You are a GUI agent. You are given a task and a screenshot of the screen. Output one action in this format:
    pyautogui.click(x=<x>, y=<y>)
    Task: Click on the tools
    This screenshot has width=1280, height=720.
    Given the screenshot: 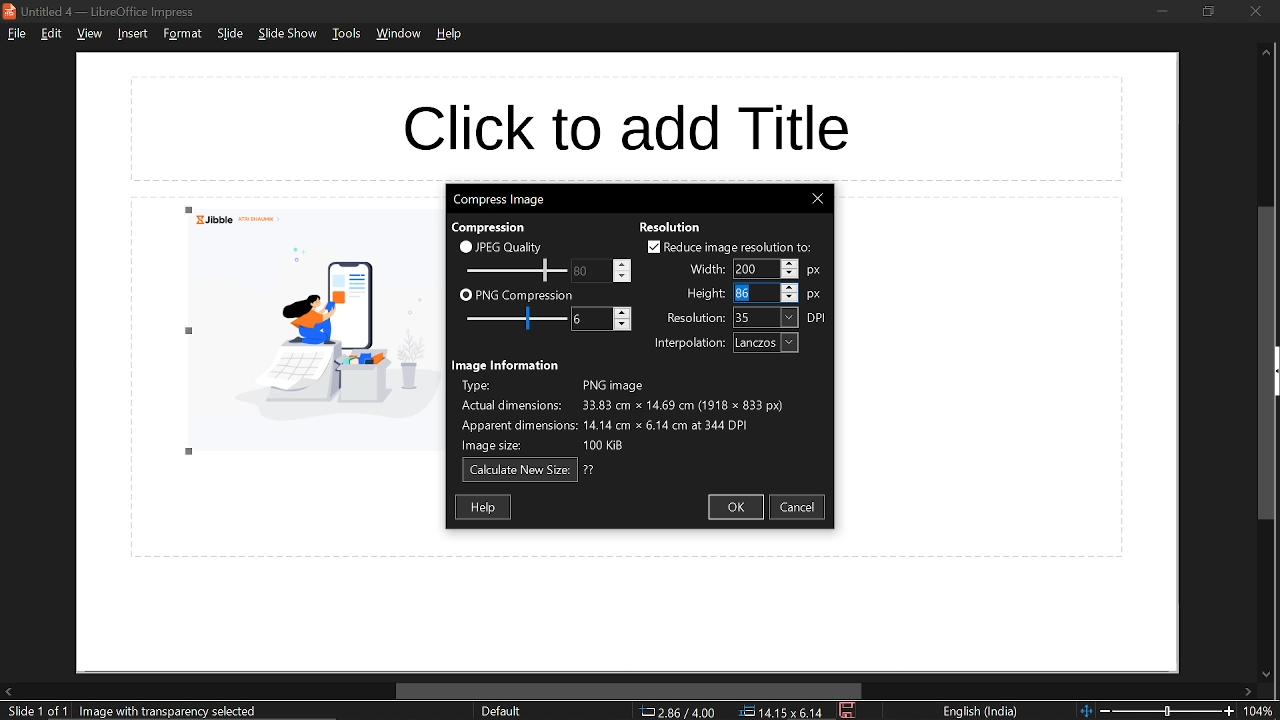 What is the action you would take?
    pyautogui.click(x=346, y=33)
    